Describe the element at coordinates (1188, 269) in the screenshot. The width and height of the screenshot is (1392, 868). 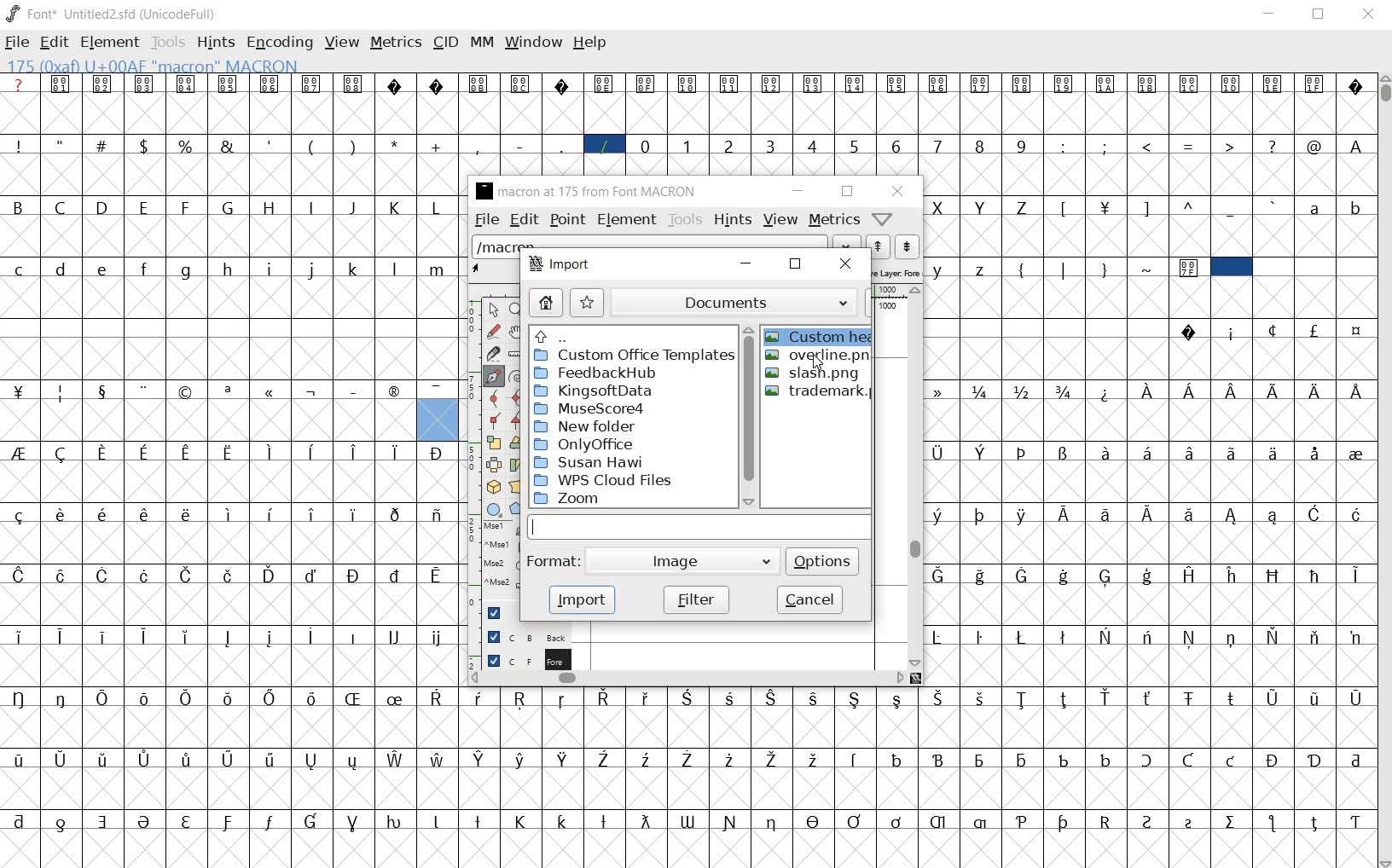
I see `Symbol` at that location.